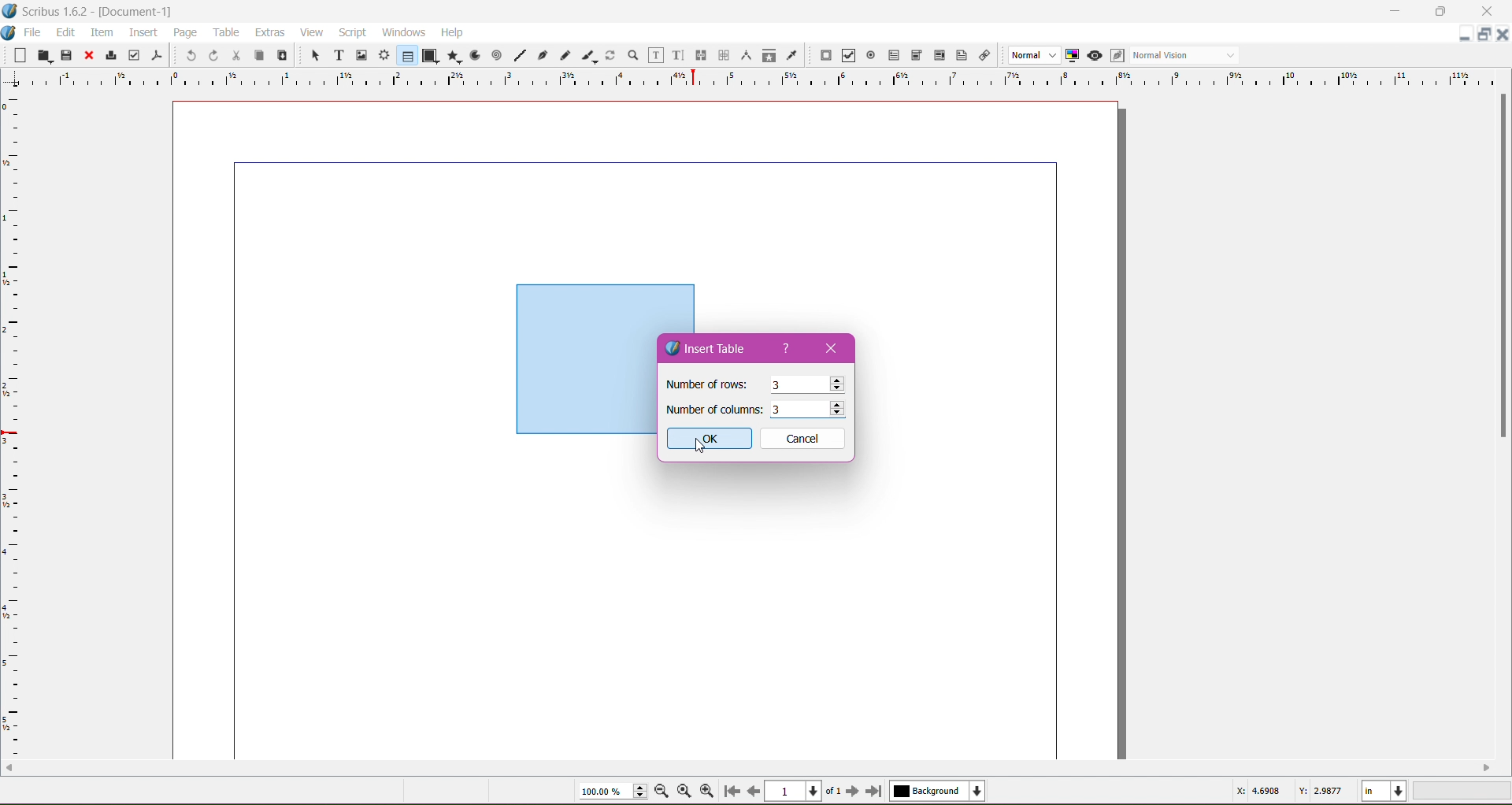  I want to click on 1, so click(784, 410).